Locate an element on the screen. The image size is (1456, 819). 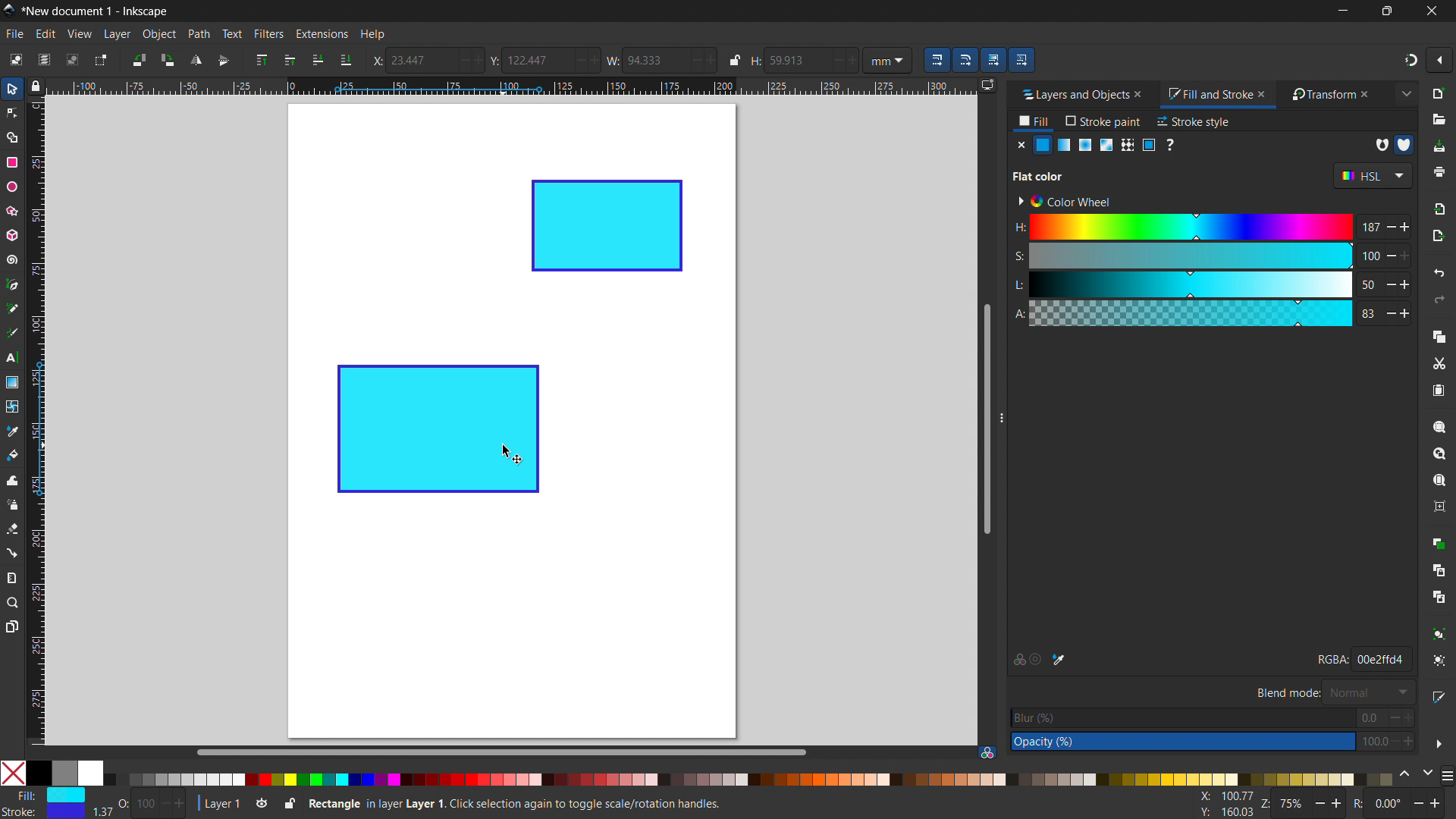
unset paint is located at coordinates (1169, 144).